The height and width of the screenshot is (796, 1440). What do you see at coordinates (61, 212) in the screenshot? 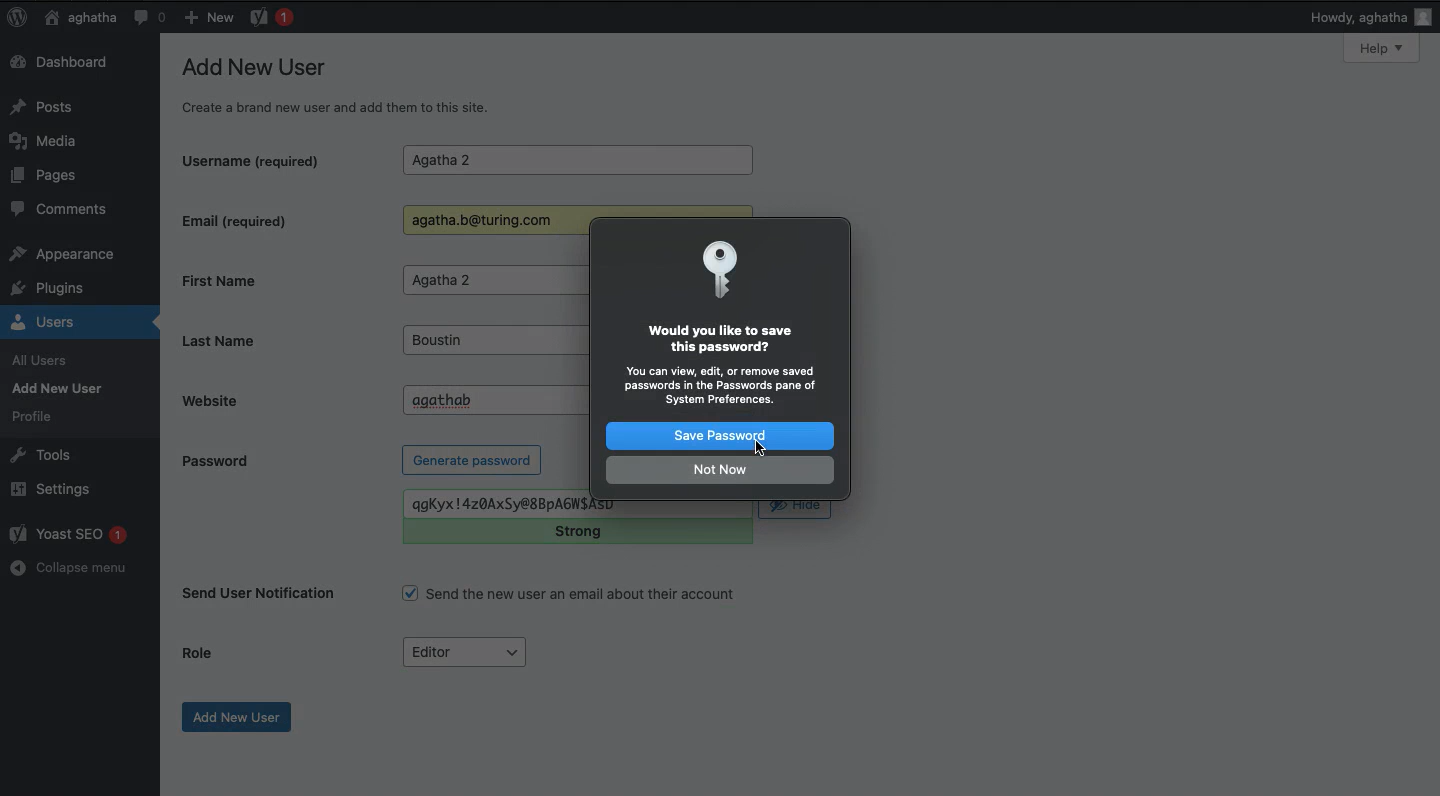
I see `Comments` at bounding box center [61, 212].